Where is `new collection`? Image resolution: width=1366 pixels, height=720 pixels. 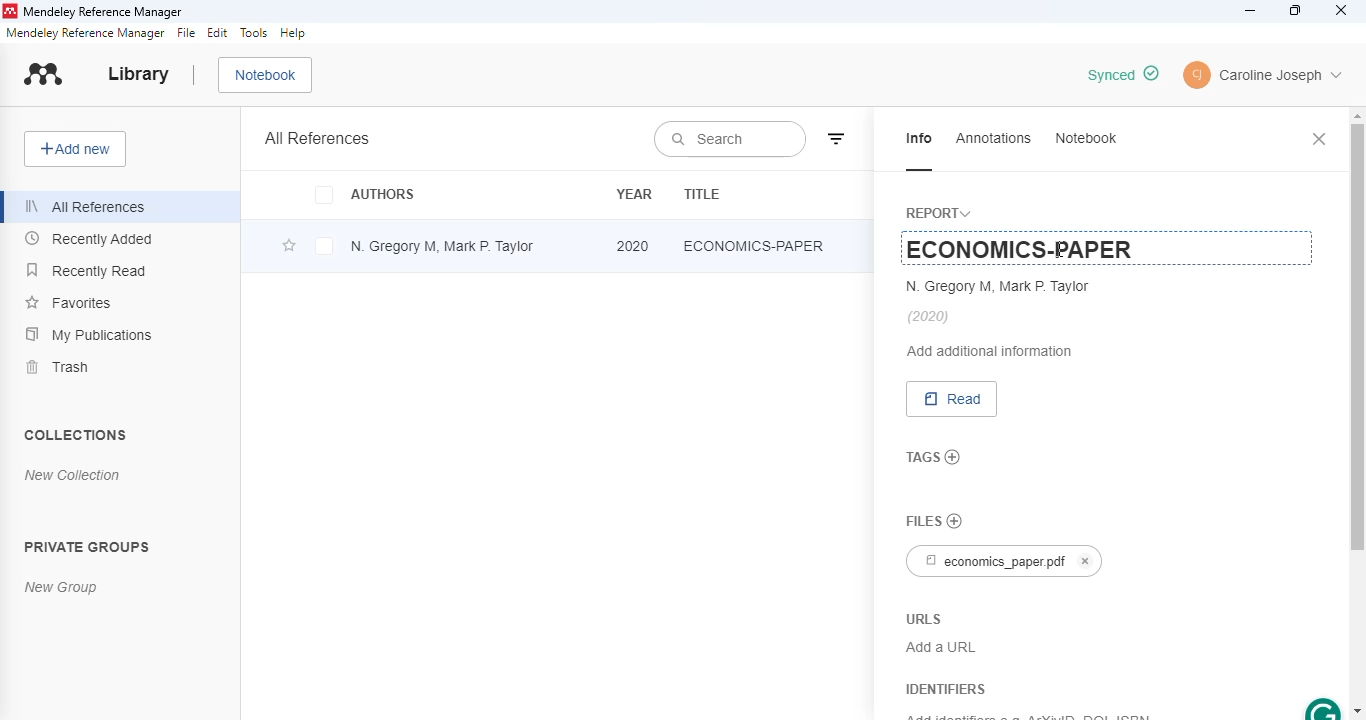 new collection is located at coordinates (73, 475).